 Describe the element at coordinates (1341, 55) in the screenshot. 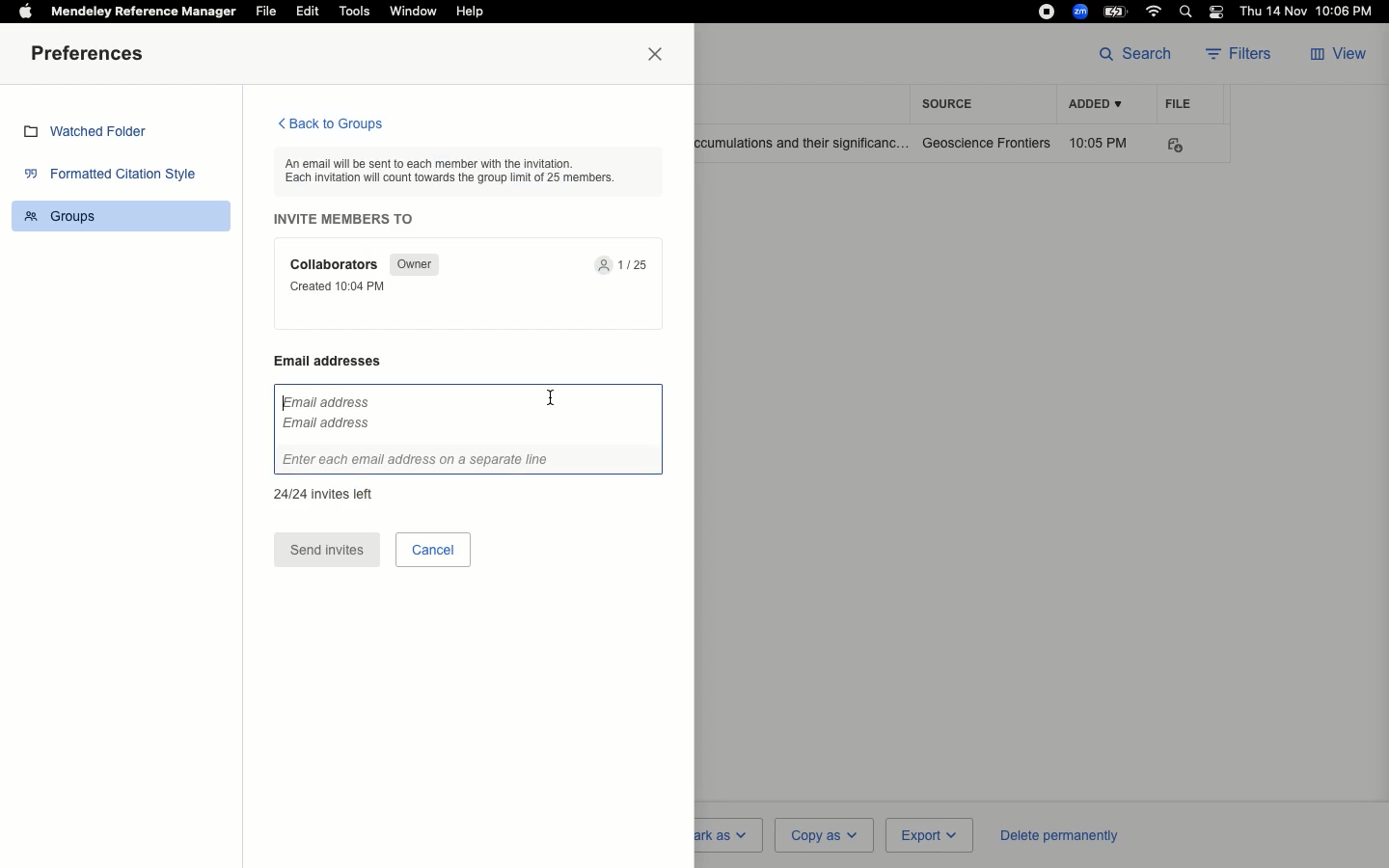

I see `View ` at that location.